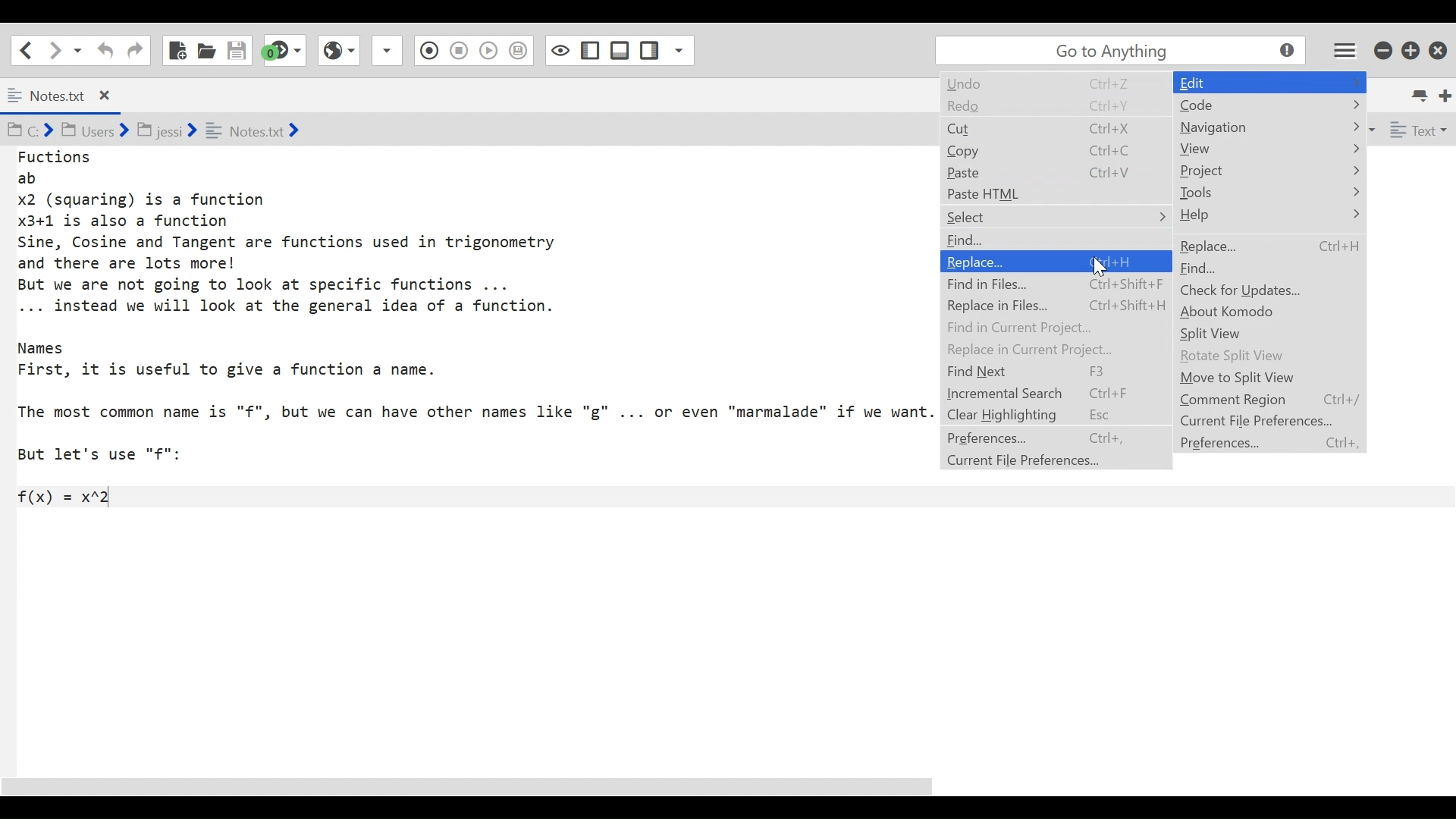 The height and width of the screenshot is (819, 1456). Describe the element at coordinates (1279, 443) in the screenshot. I see `Preferences... Ctrl+,` at that location.